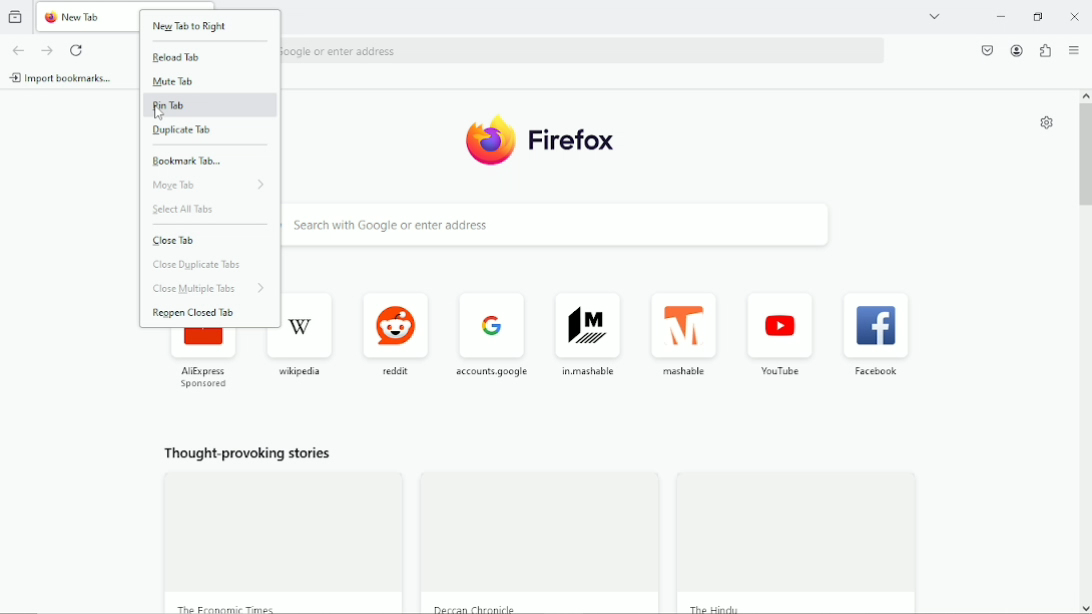  I want to click on accounts google, so click(494, 332).